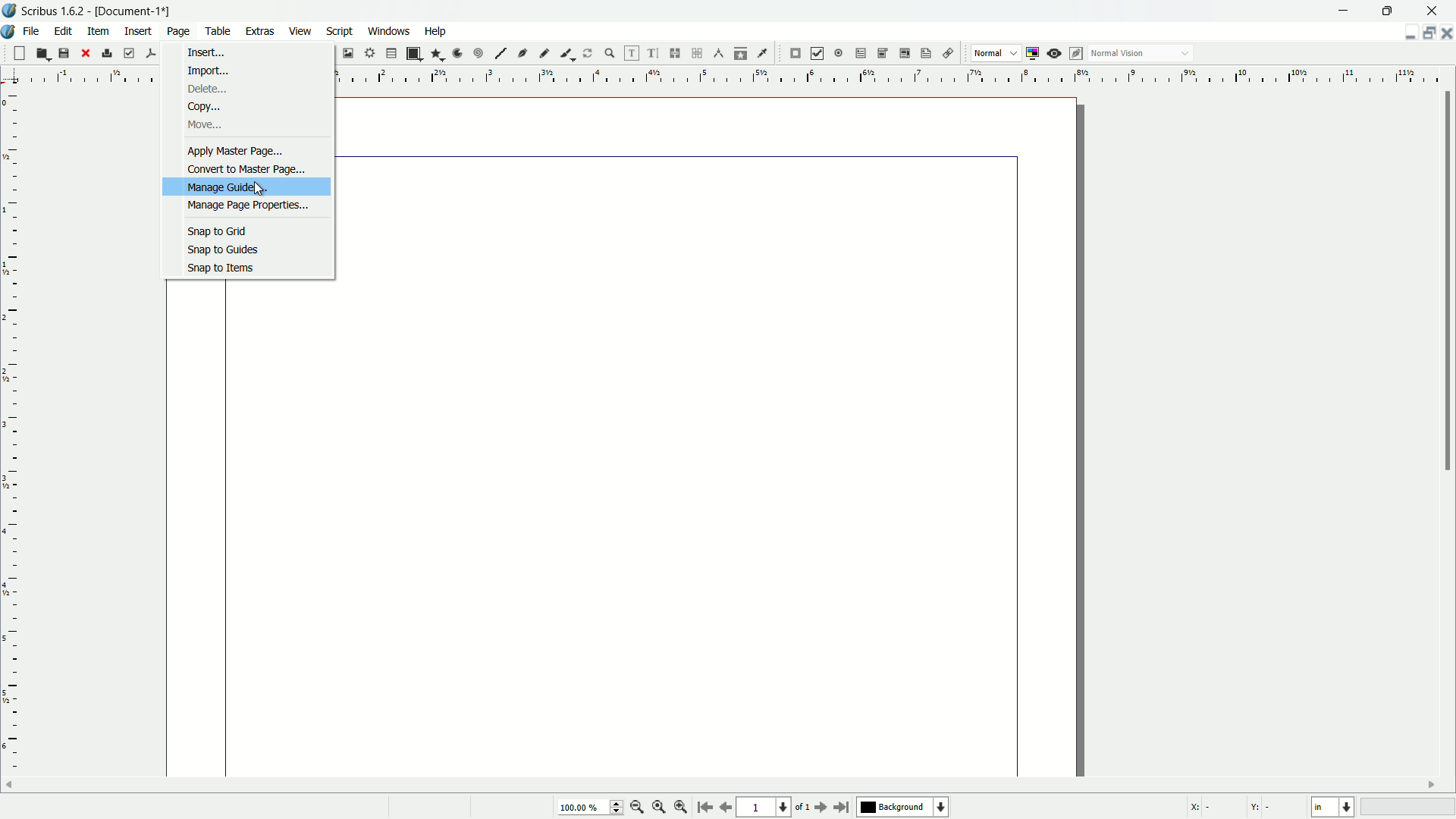 This screenshot has width=1456, height=819. What do you see at coordinates (435, 30) in the screenshot?
I see `help menu` at bounding box center [435, 30].